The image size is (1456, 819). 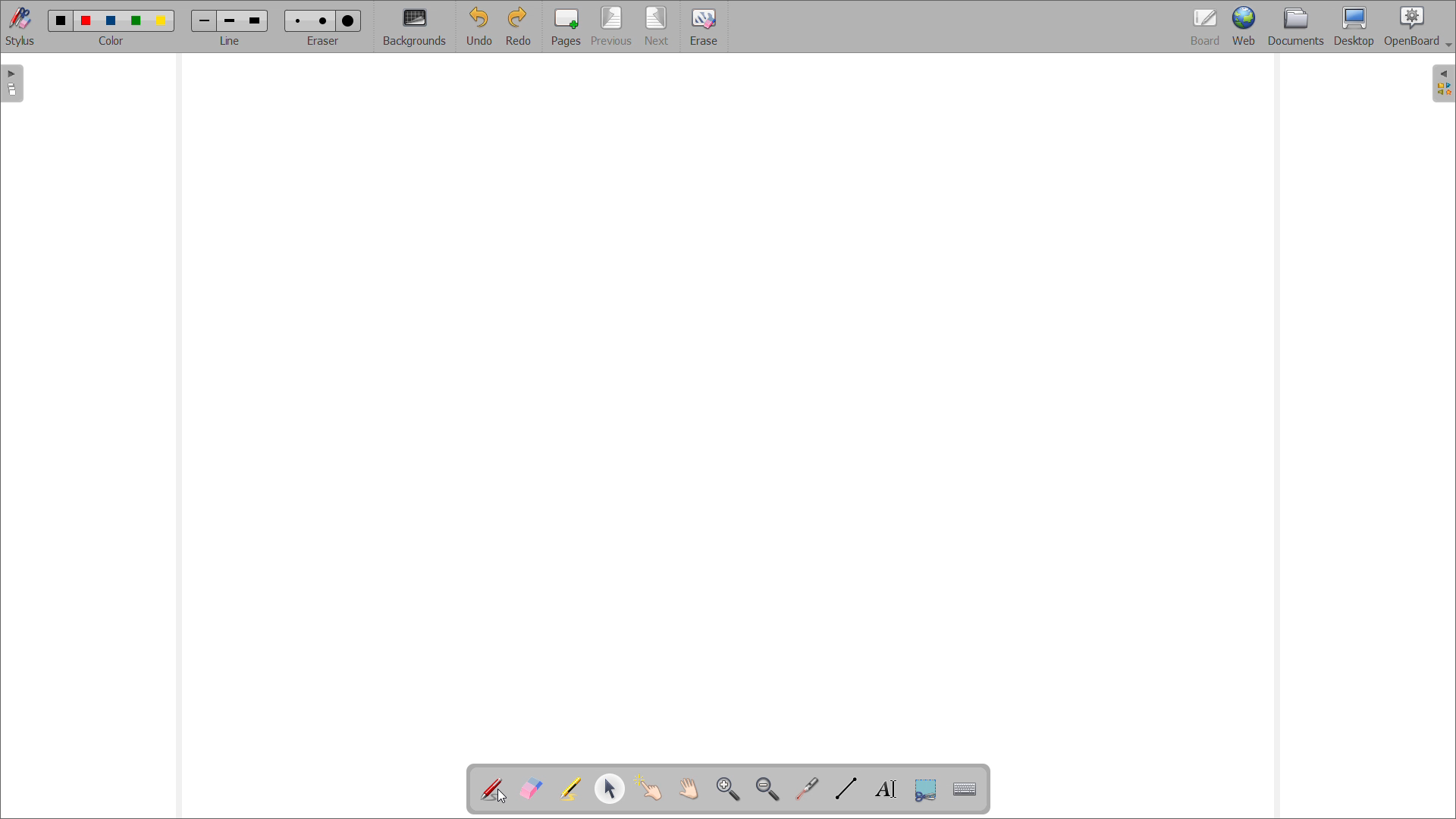 I want to click on color, so click(x=161, y=21).